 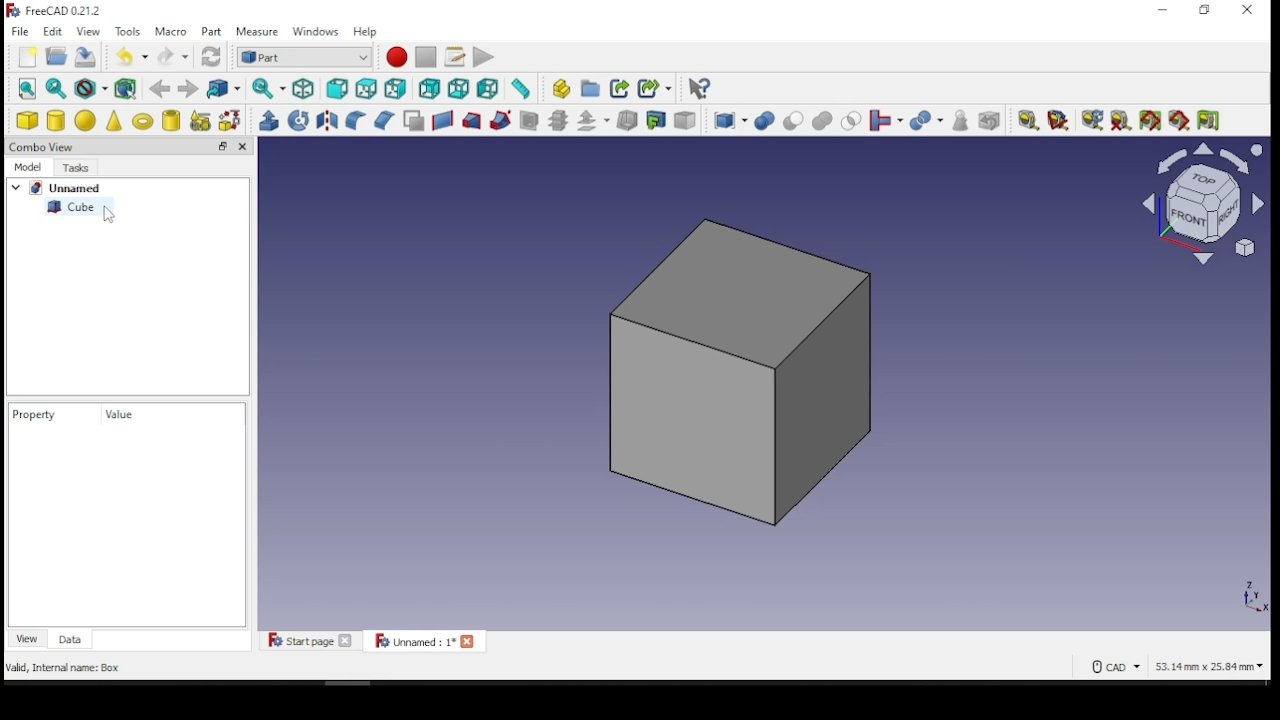 I want to click on rear, so click(x=429, y=89).